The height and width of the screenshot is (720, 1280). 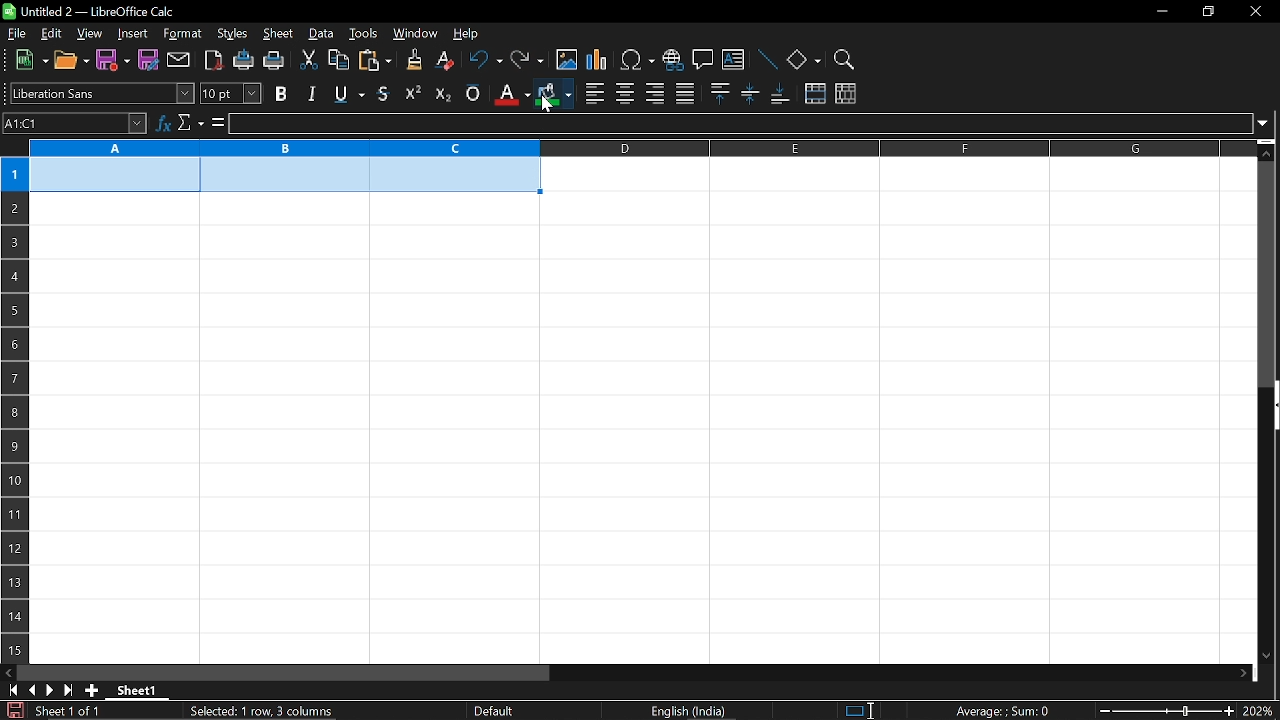 What do you see at coordinates (1245, 672) in the screenshot?
I see `move right` at bounding box center [1245, 672].